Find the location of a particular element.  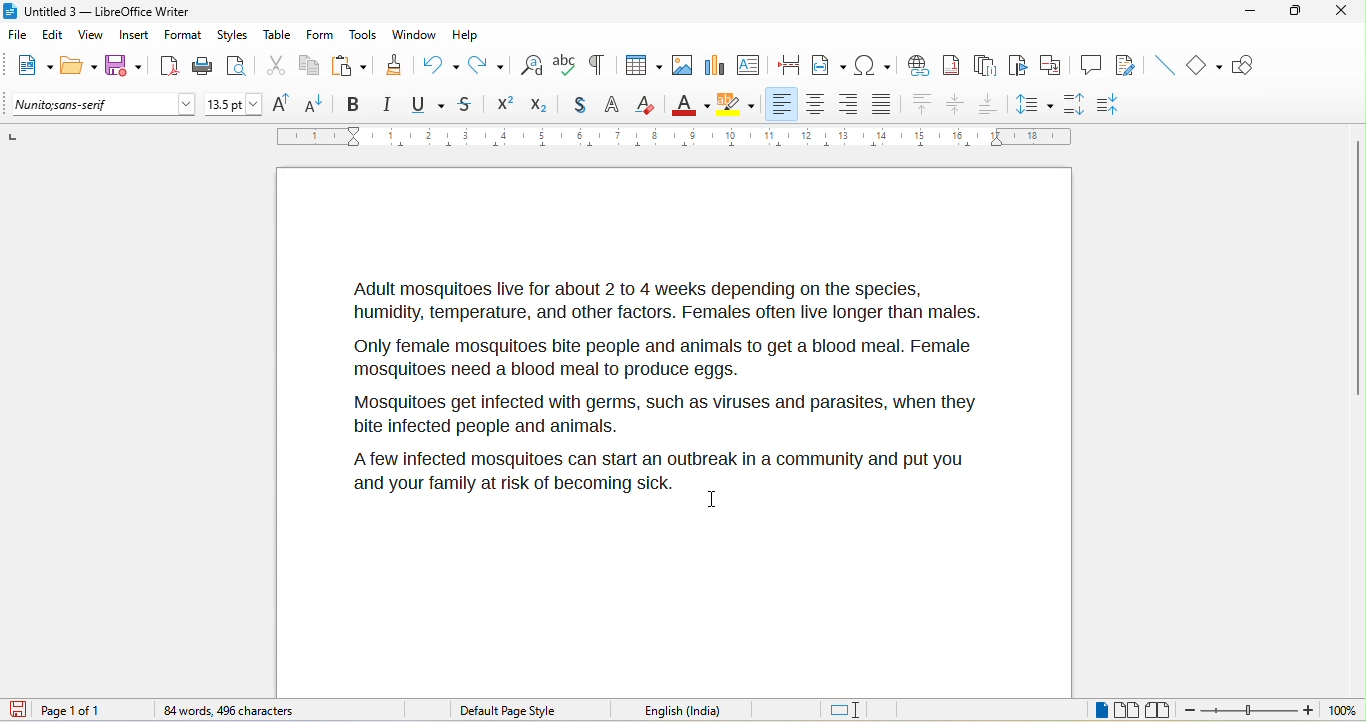

set line spacing is located at coordinates (1033, 102).